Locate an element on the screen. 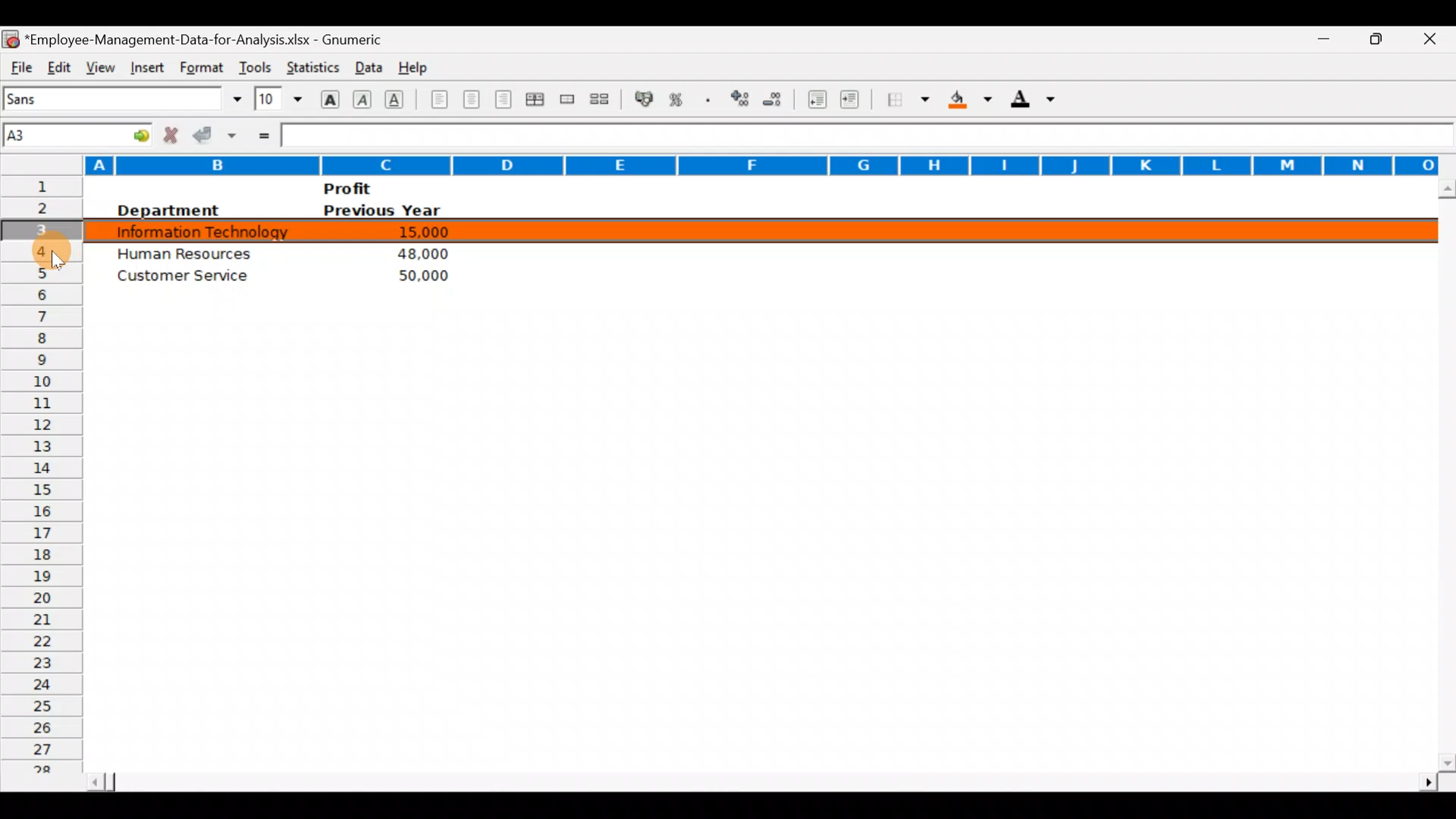  *Employee-Management-Data-for-Analysis.xlsx - Gnumeric is located at coordinates (213, 37).